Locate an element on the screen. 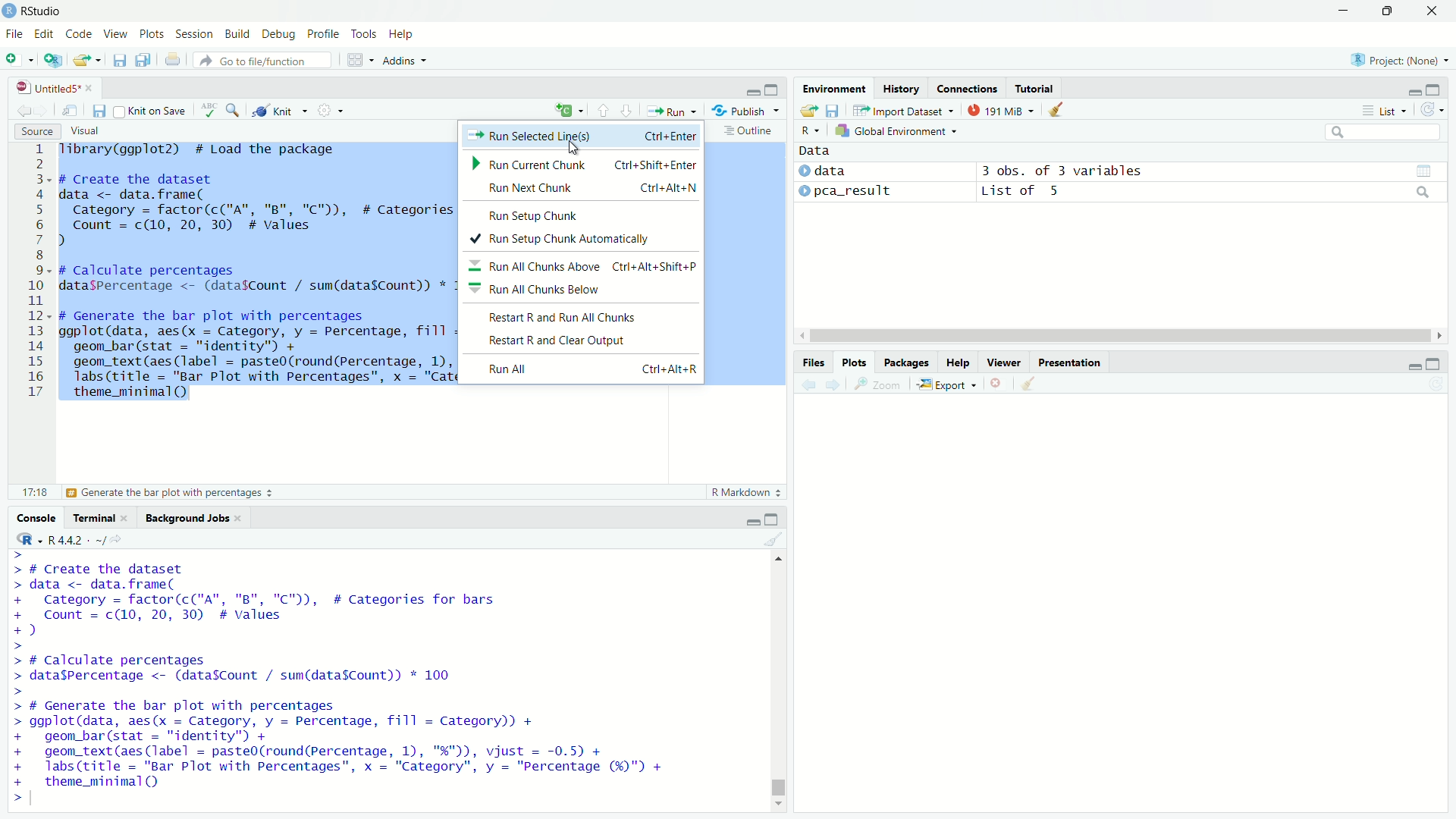  View is located at coordinates (117, 35).